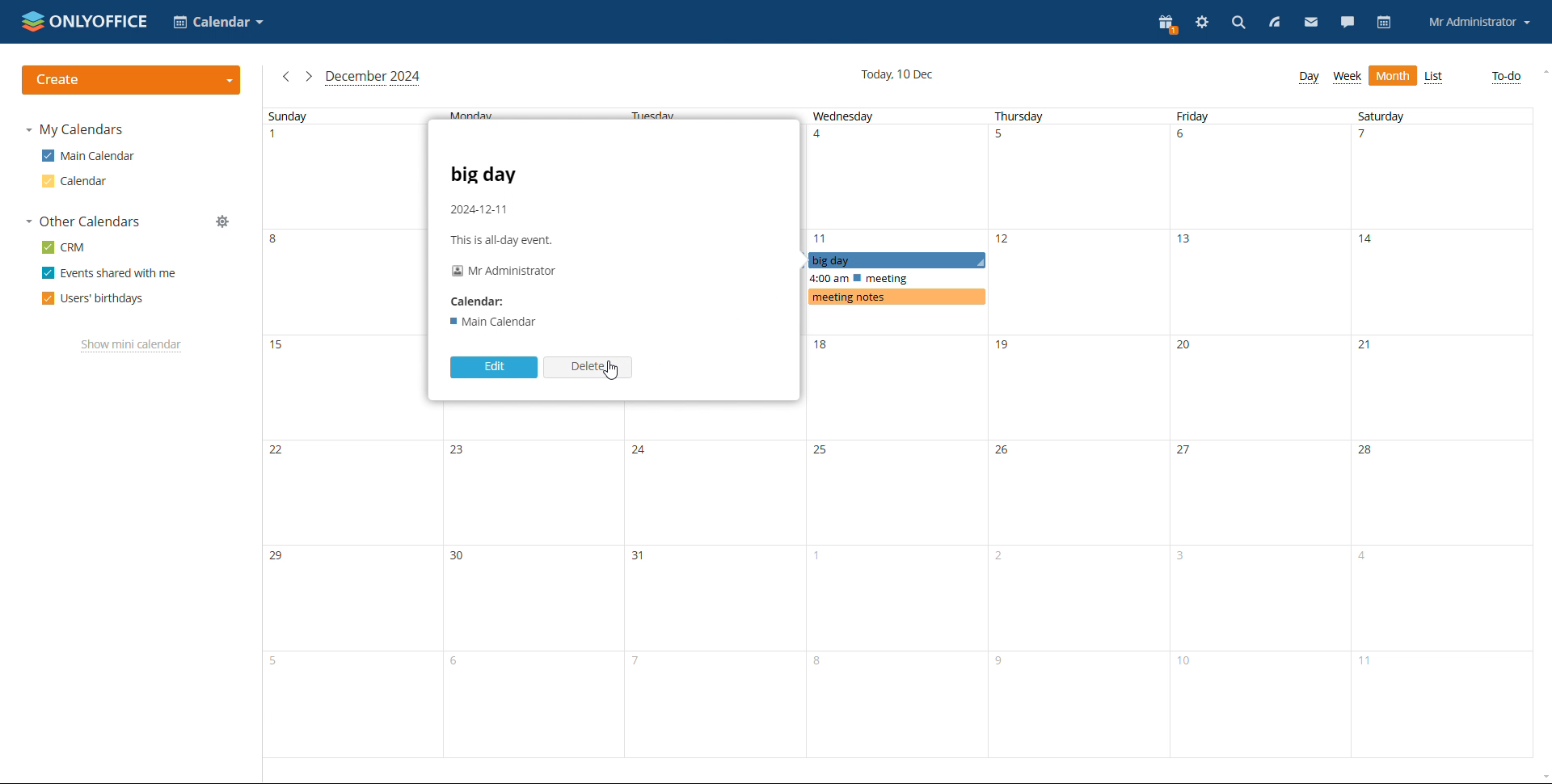 The image size is (1552, 784). What do you see at coordinates (1440, 434) in the screenshot?
I see `saturday` at bounding box center [1440, 434].